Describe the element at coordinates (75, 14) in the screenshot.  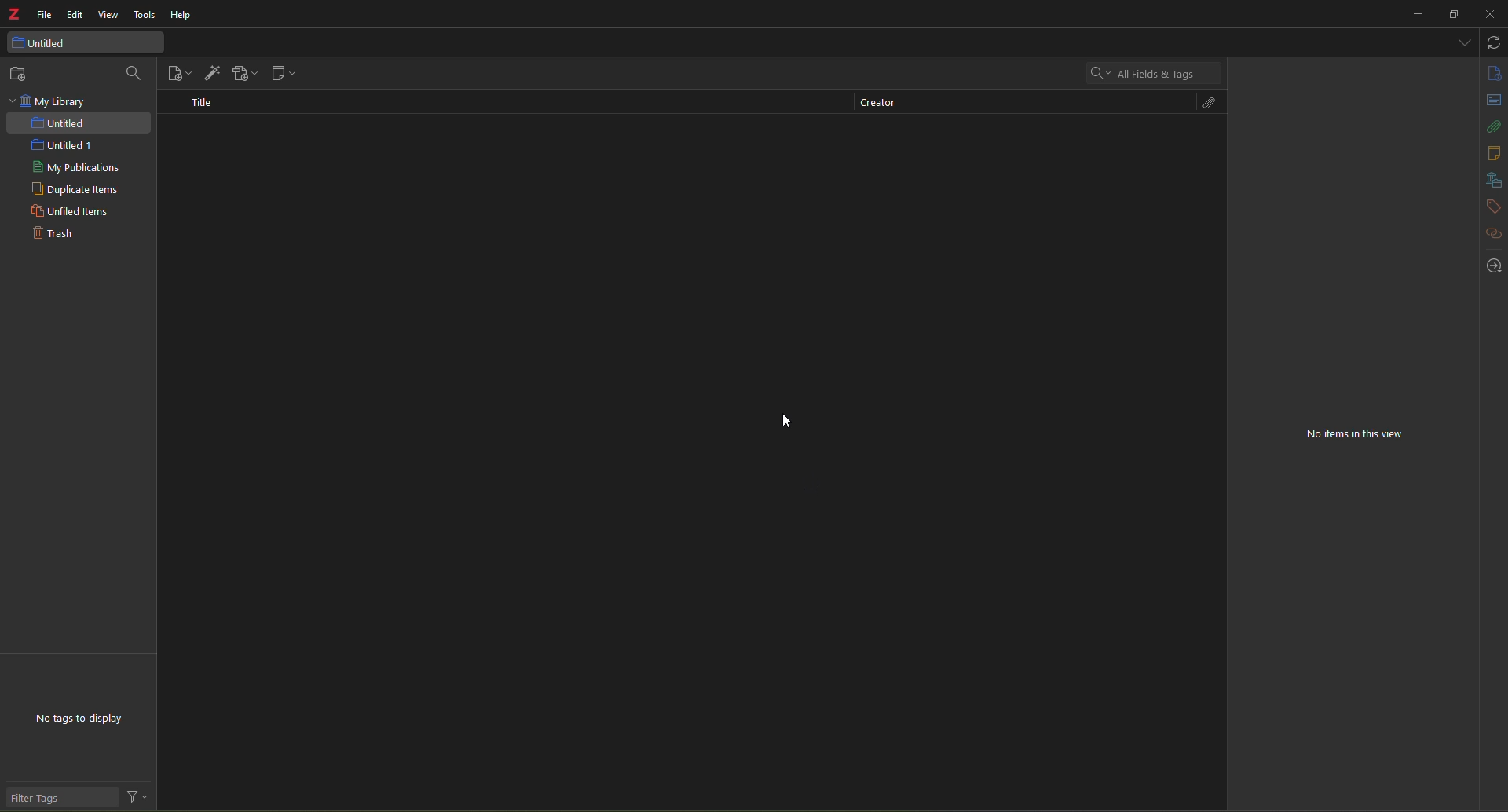
I see `edit` at that location.